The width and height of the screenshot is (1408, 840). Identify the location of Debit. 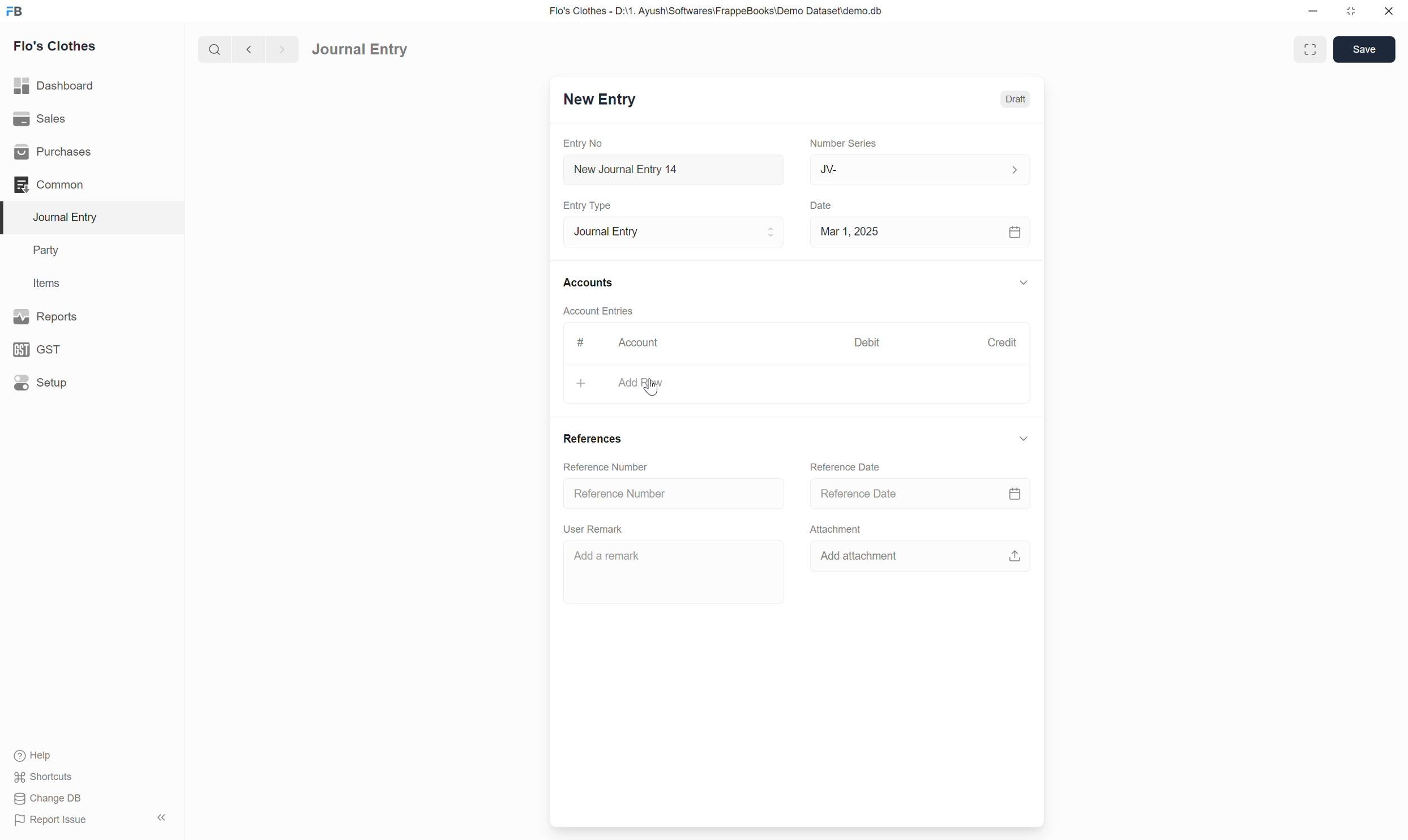
(867, 341).